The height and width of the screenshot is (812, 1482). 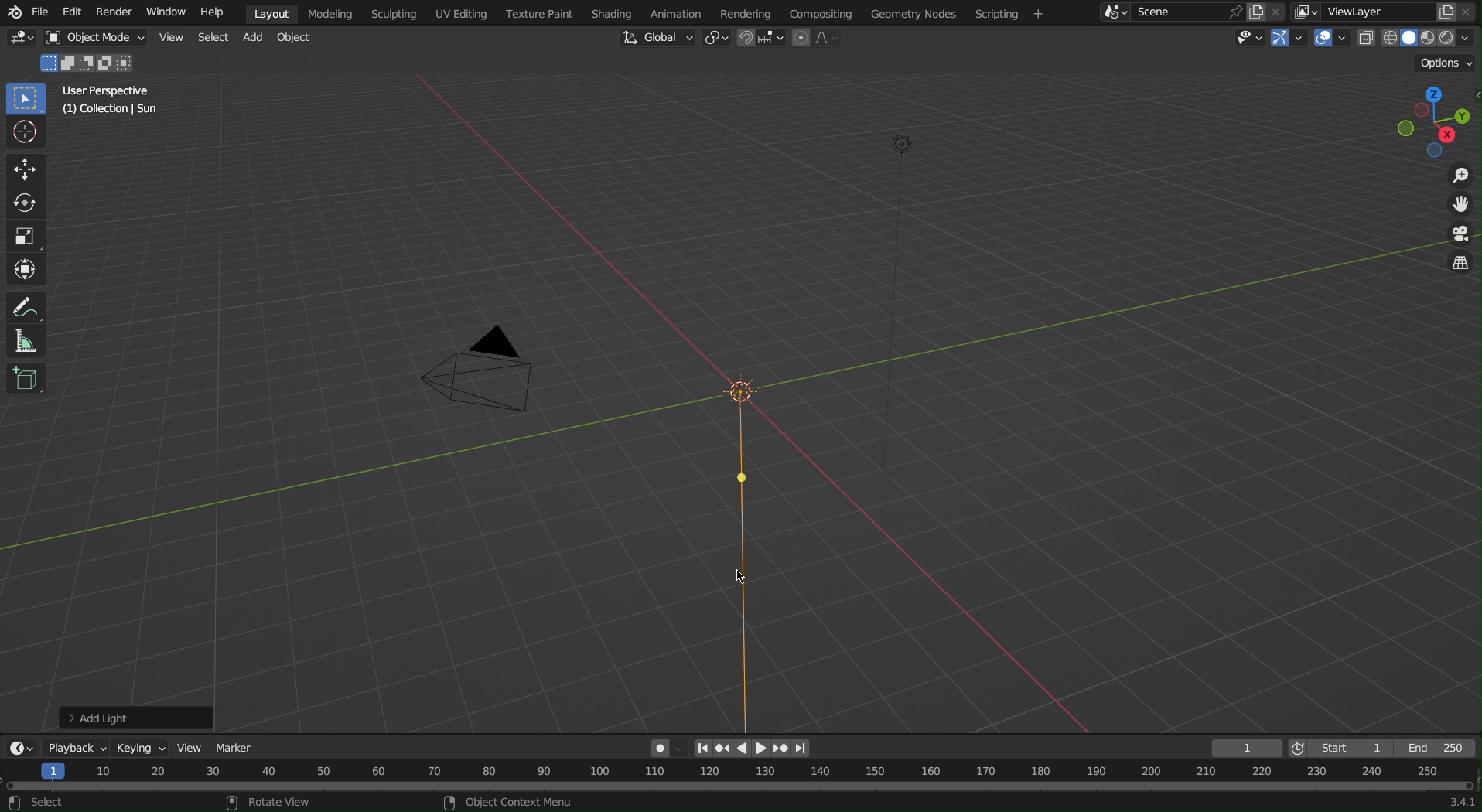 What do you see at coordinates (1456, 176) in the screenshot?
I see `Zoom in-out` at bounding box center [1456, 176].